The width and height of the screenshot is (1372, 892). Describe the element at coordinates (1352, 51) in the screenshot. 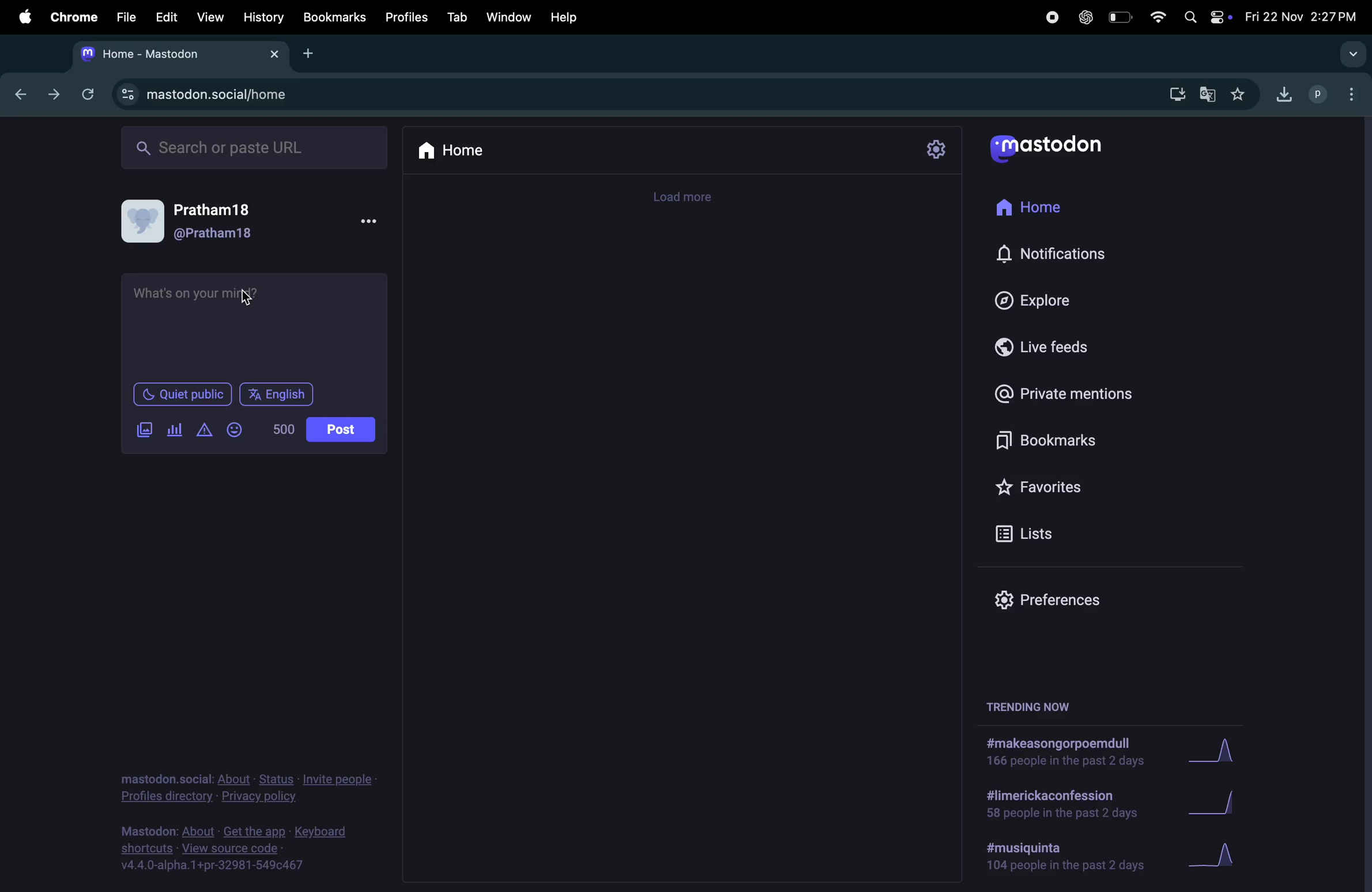

I see `search tags` at that location.